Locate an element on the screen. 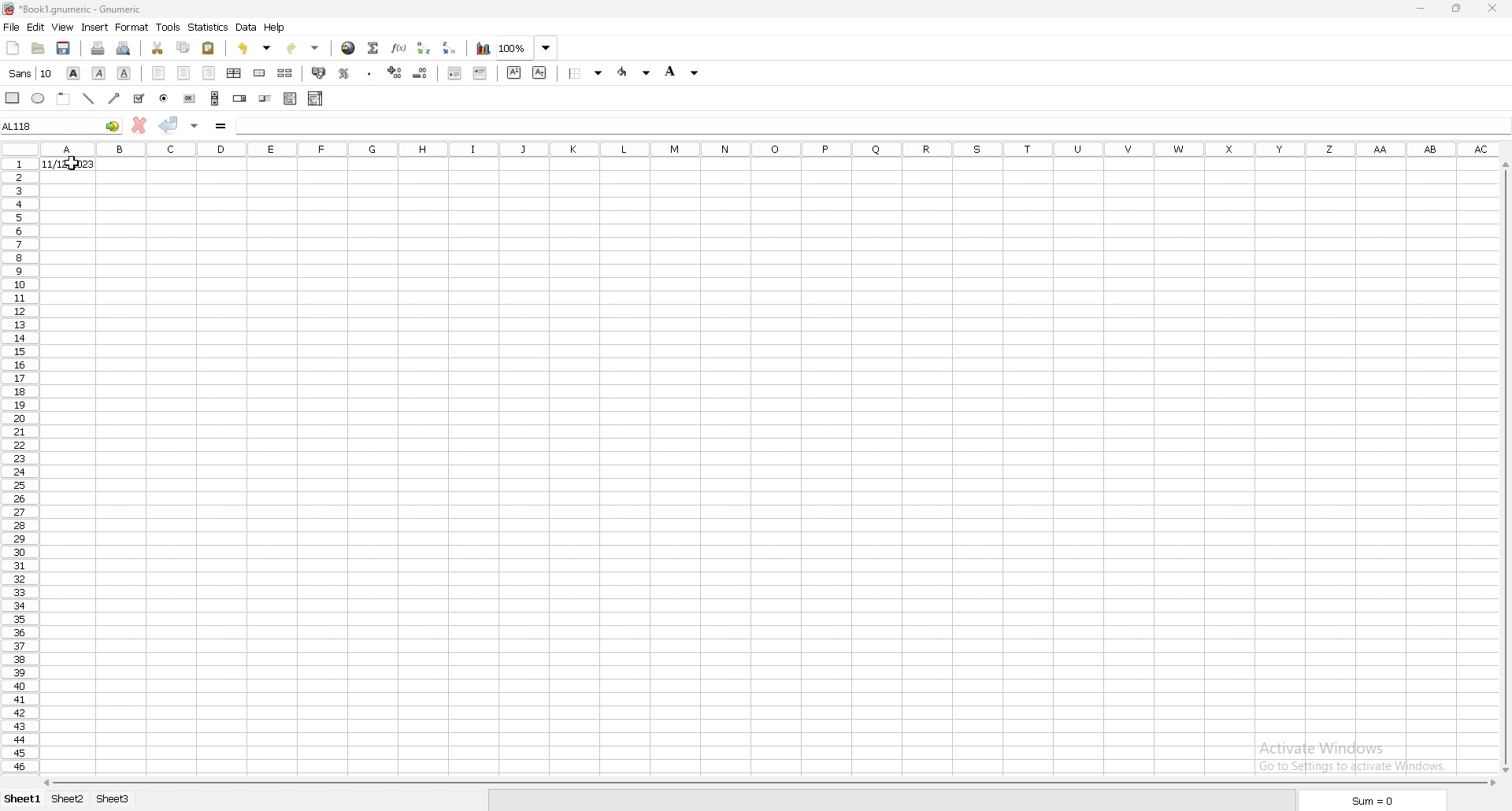 This screenshot has height=811, width=1512. ellipse is located at coordinates (38, 98).